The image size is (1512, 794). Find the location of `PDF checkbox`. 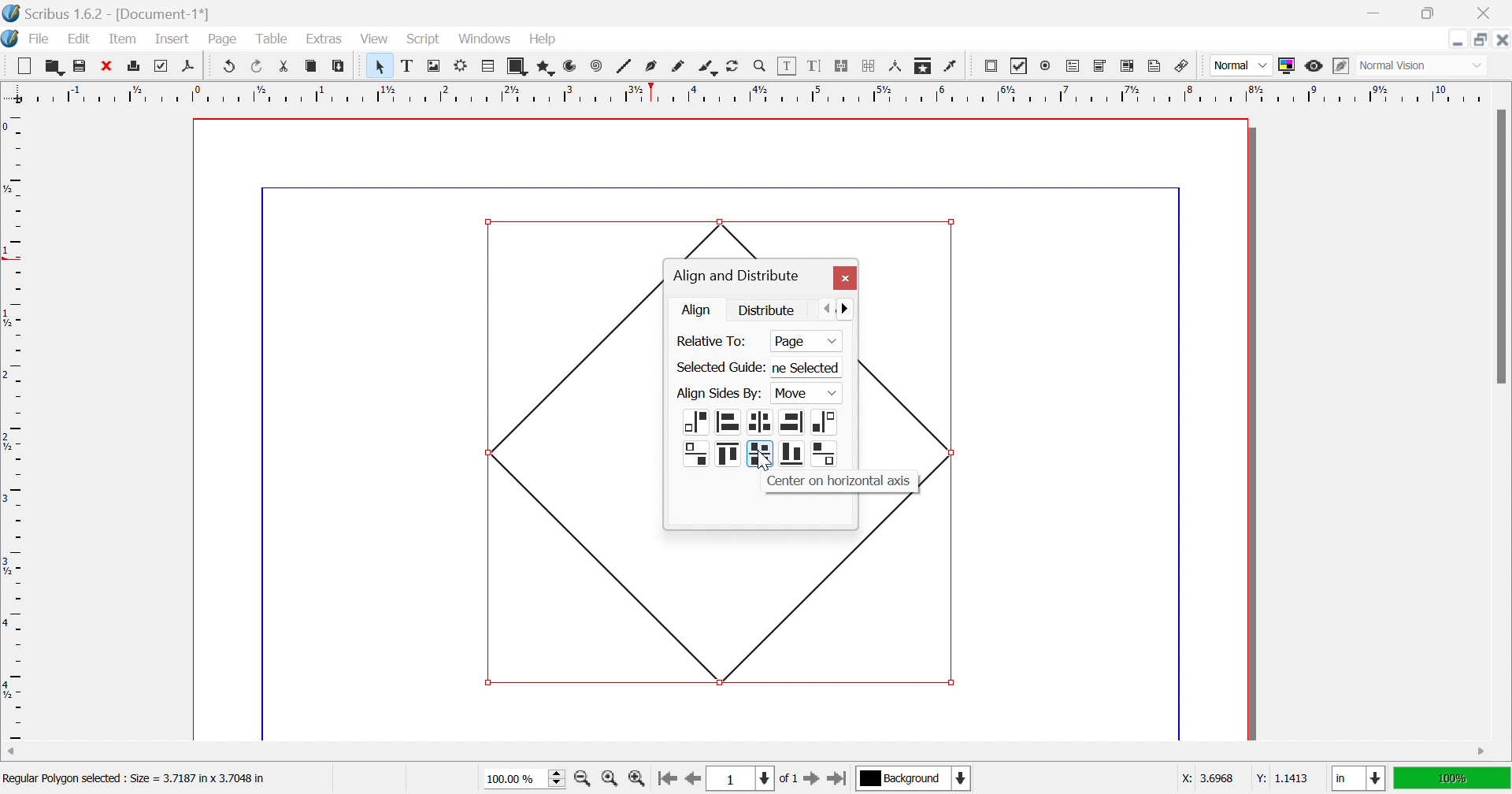

PDF checkbox is located at coordinates (1019, 66).